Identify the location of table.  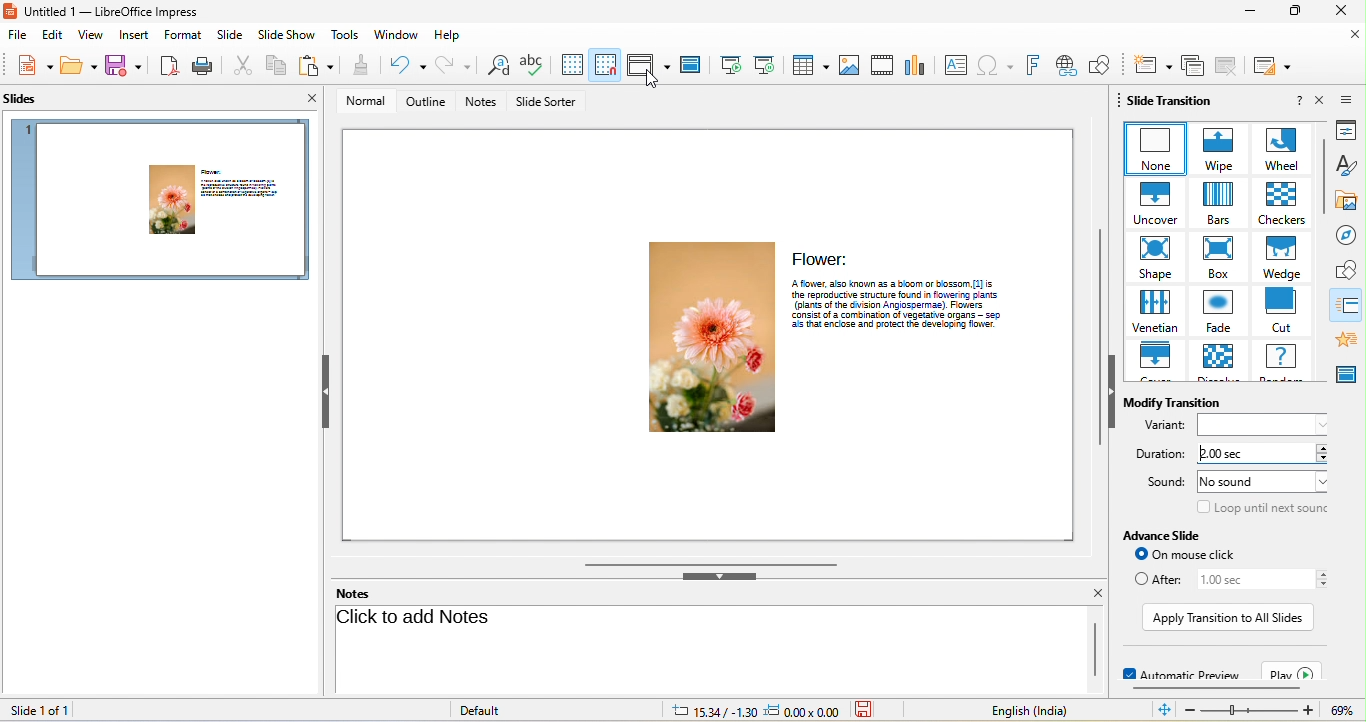
(807, 65).